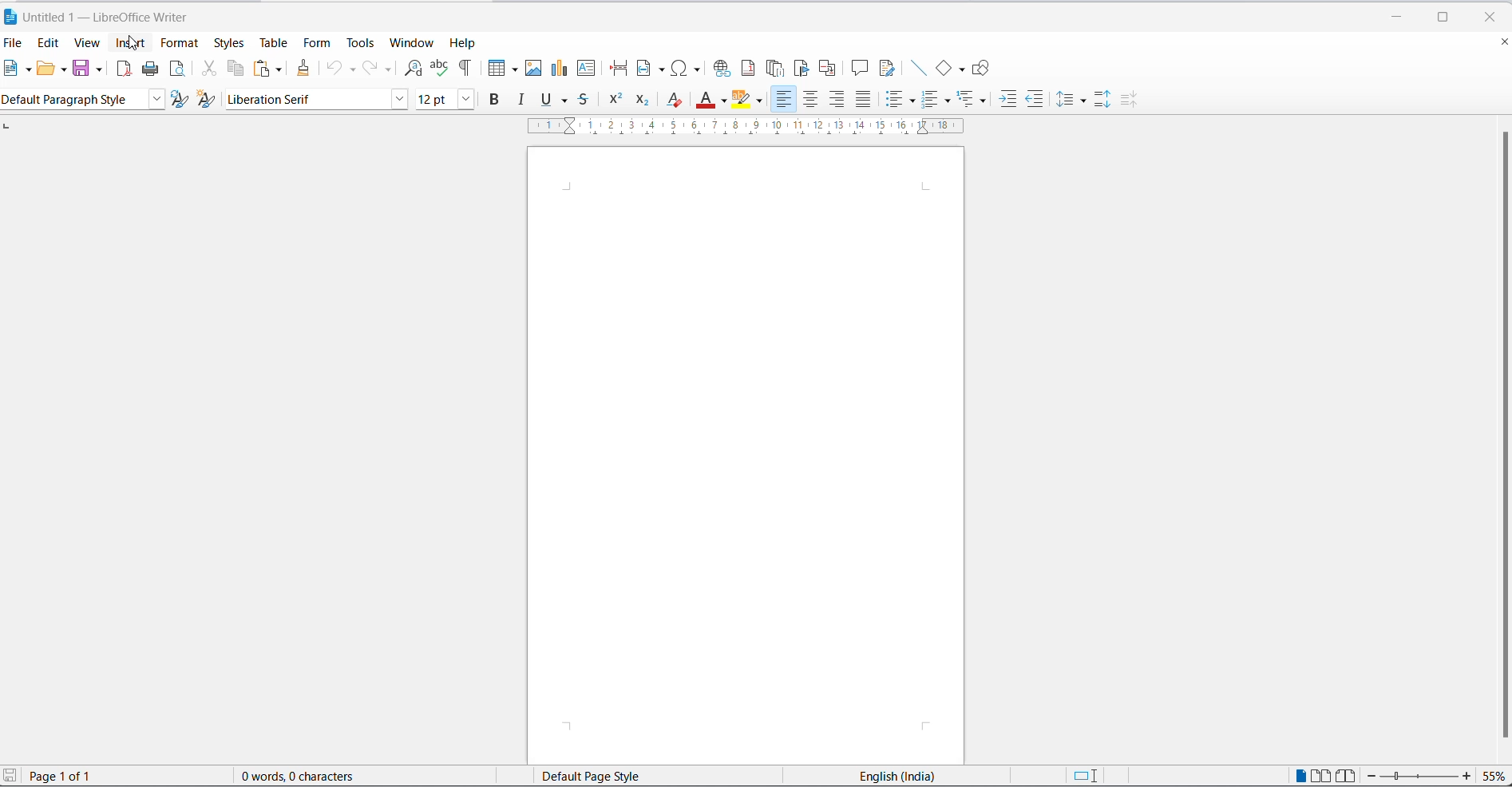  I want to click on basic shapes, so click(962, 70).